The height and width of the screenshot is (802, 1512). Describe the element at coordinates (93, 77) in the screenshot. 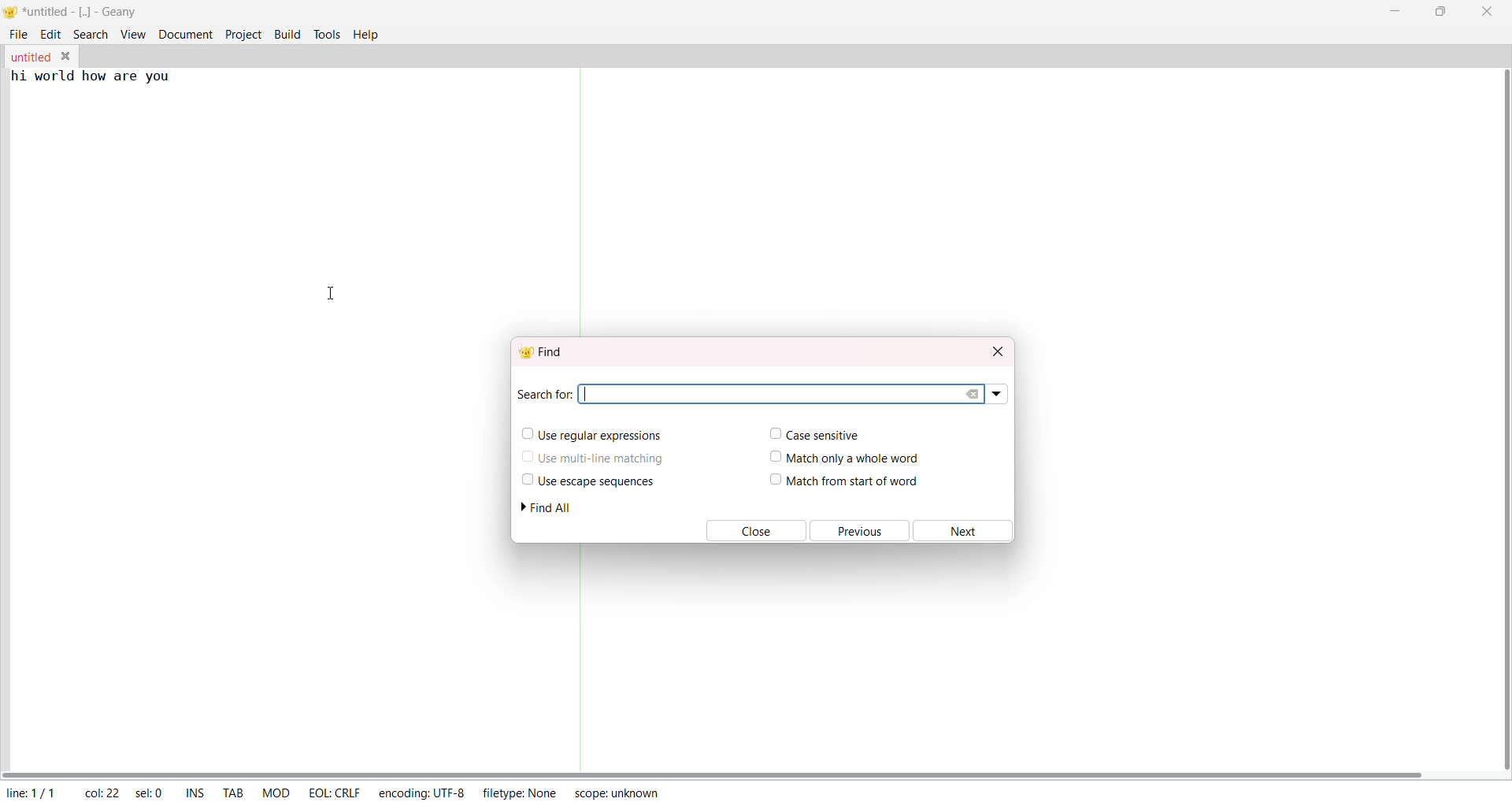

I see `hi world how are you` at that location.